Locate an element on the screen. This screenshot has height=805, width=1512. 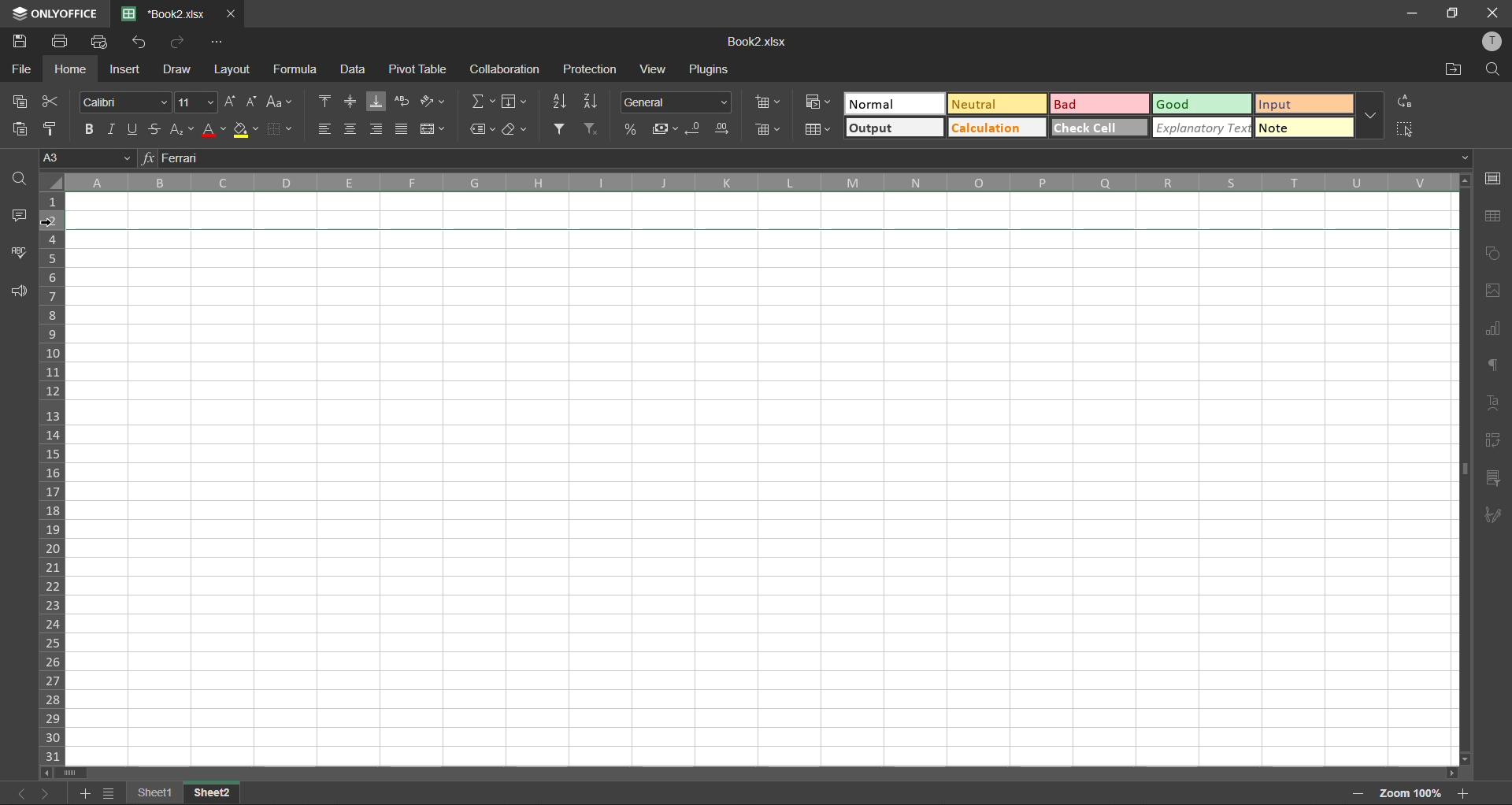
underline is located at coordinates (135, 127).